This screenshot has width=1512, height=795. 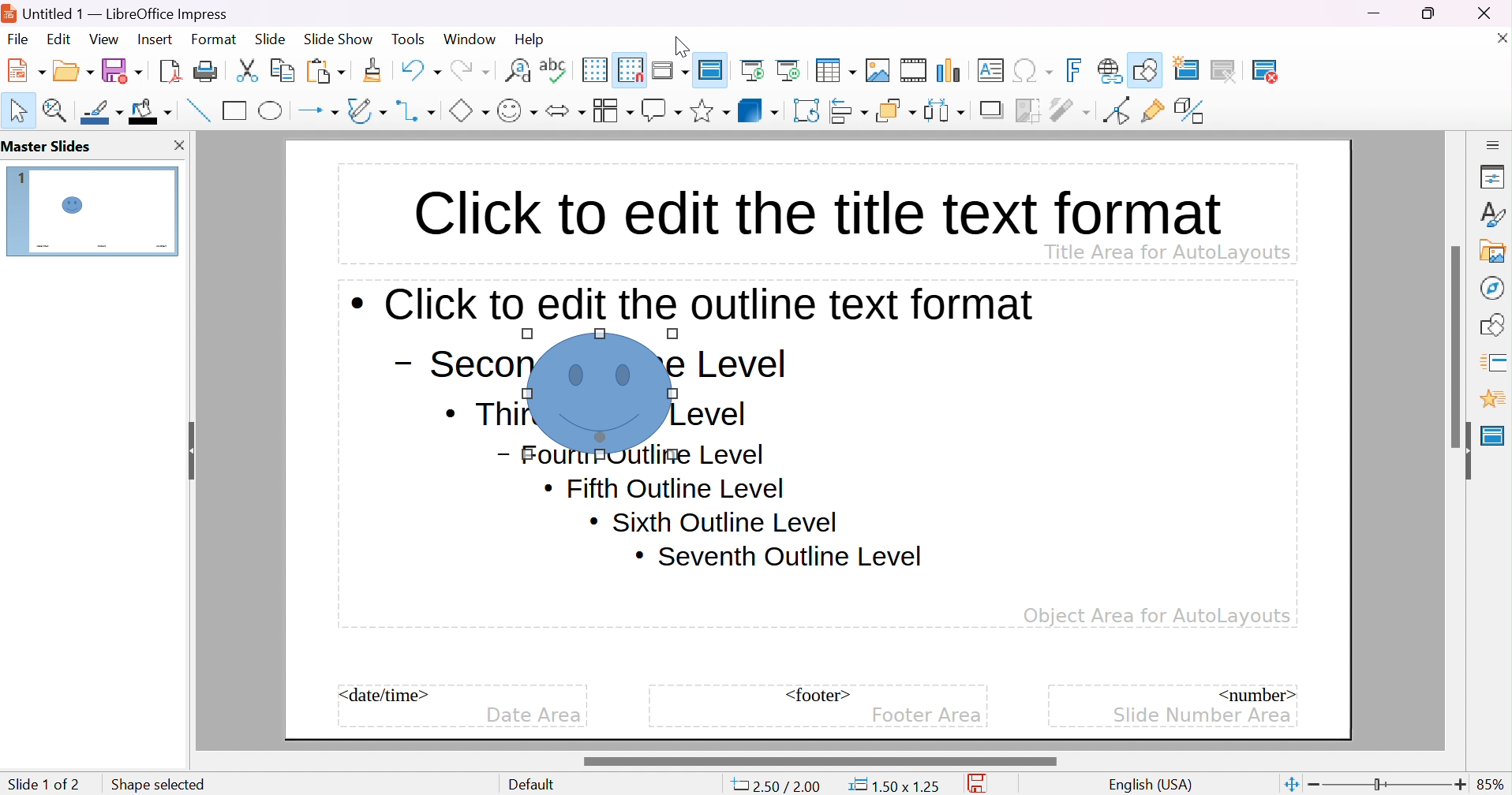 What do you see at coordinates (196, 110) in the screenshot?
I see `insert line` at bounding box center [196, 110].